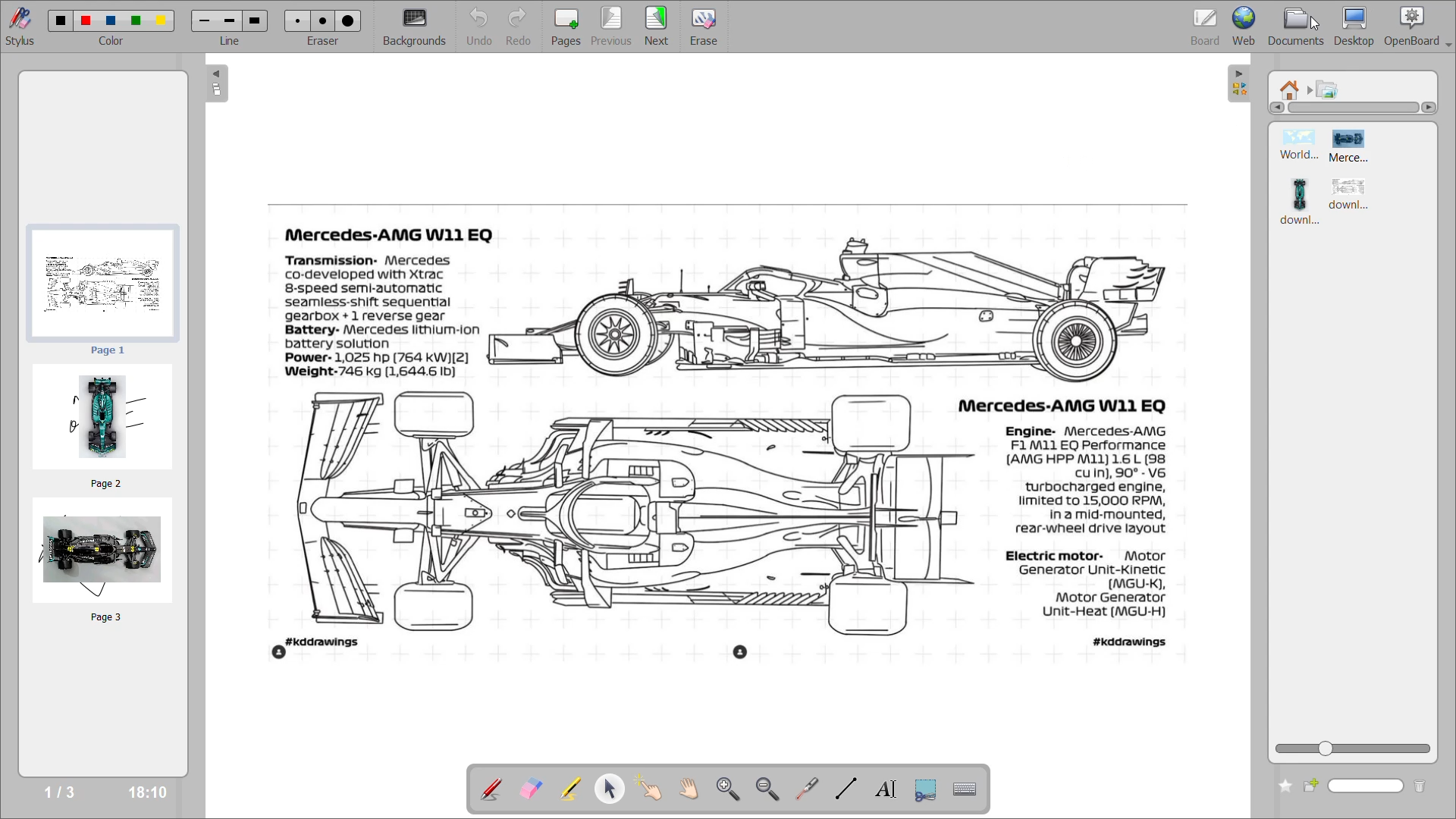  Describe the element at coordinates (323, 642) in the screenshot. I see `#kddrawings` at that location.